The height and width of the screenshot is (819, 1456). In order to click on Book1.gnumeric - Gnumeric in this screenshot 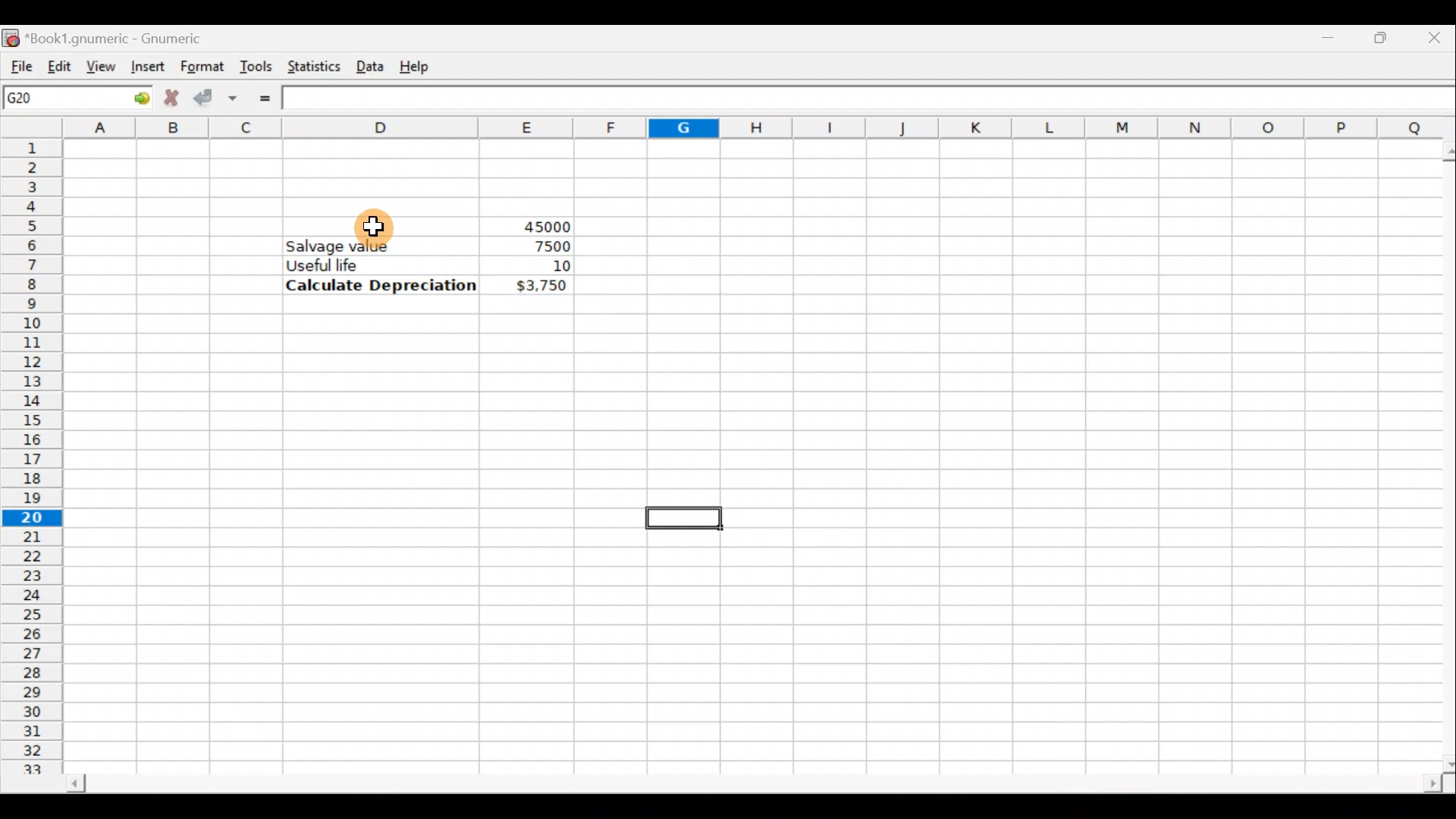, I will do `click(124, 37)`.